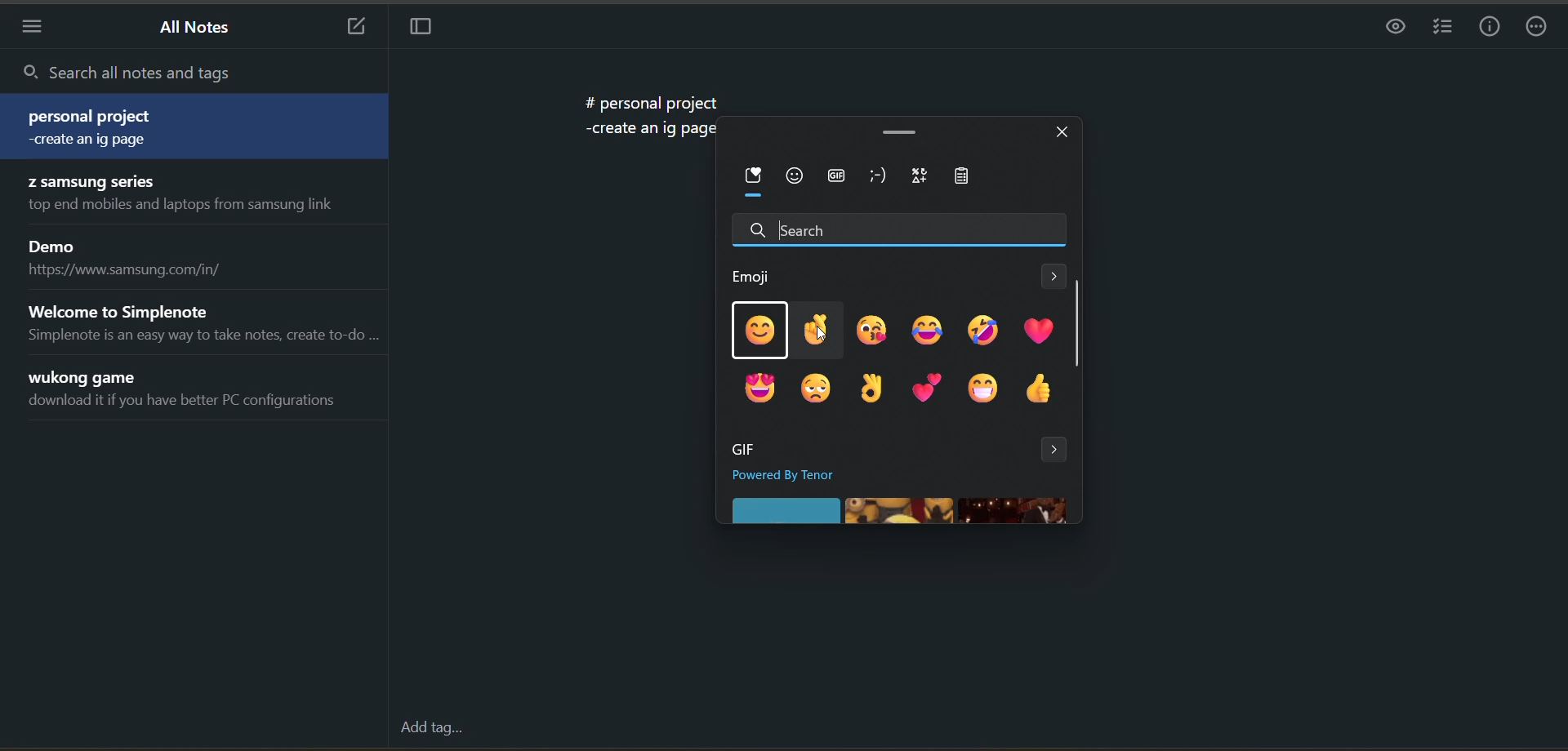 Image resolution: width=1568 pixels, height=751 pixels. Describe the element at coordinates (358, 28) in the screenshot. I see `new note` at that location.